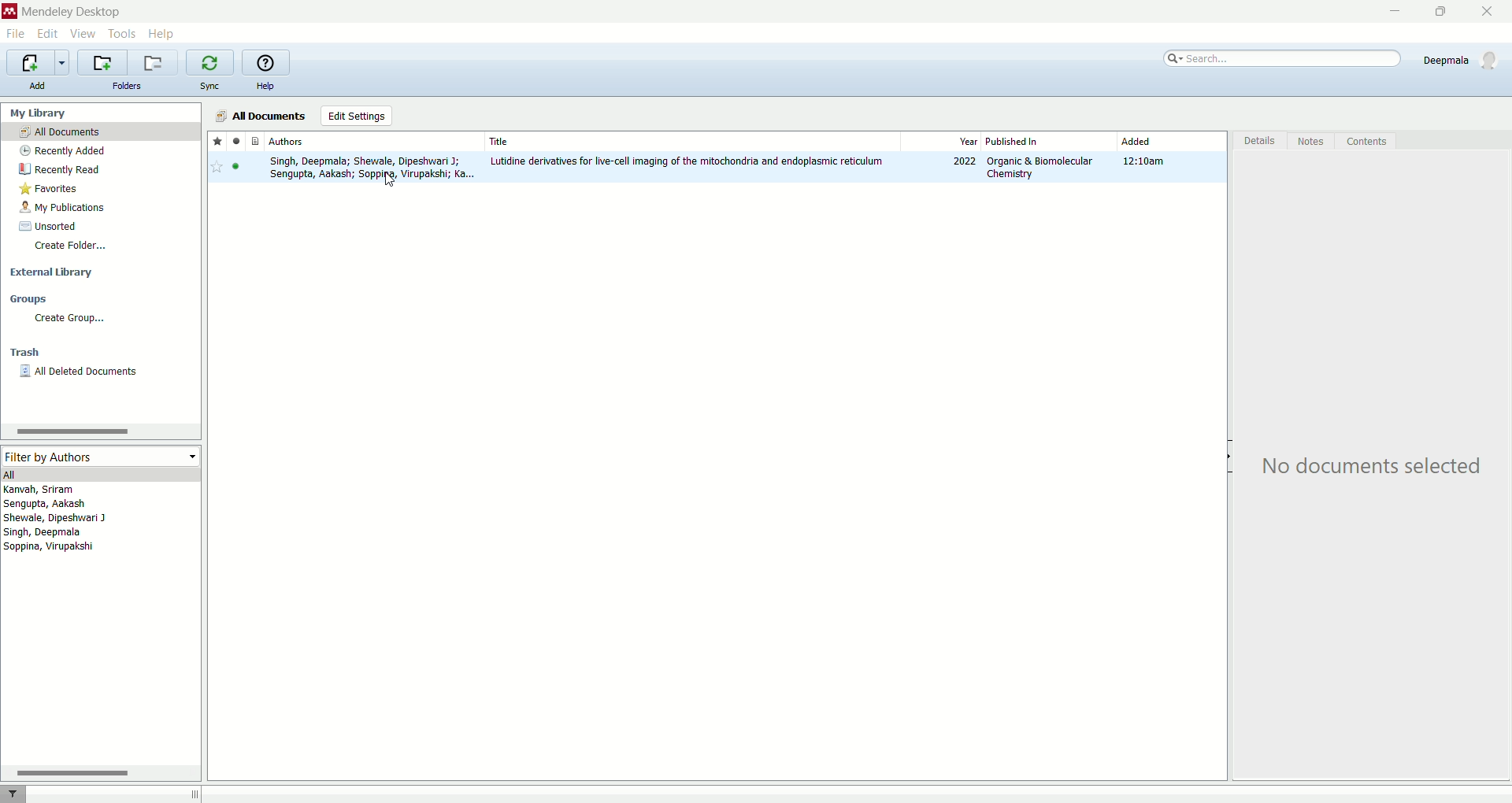  I want to click on details, so click(1256, 140).